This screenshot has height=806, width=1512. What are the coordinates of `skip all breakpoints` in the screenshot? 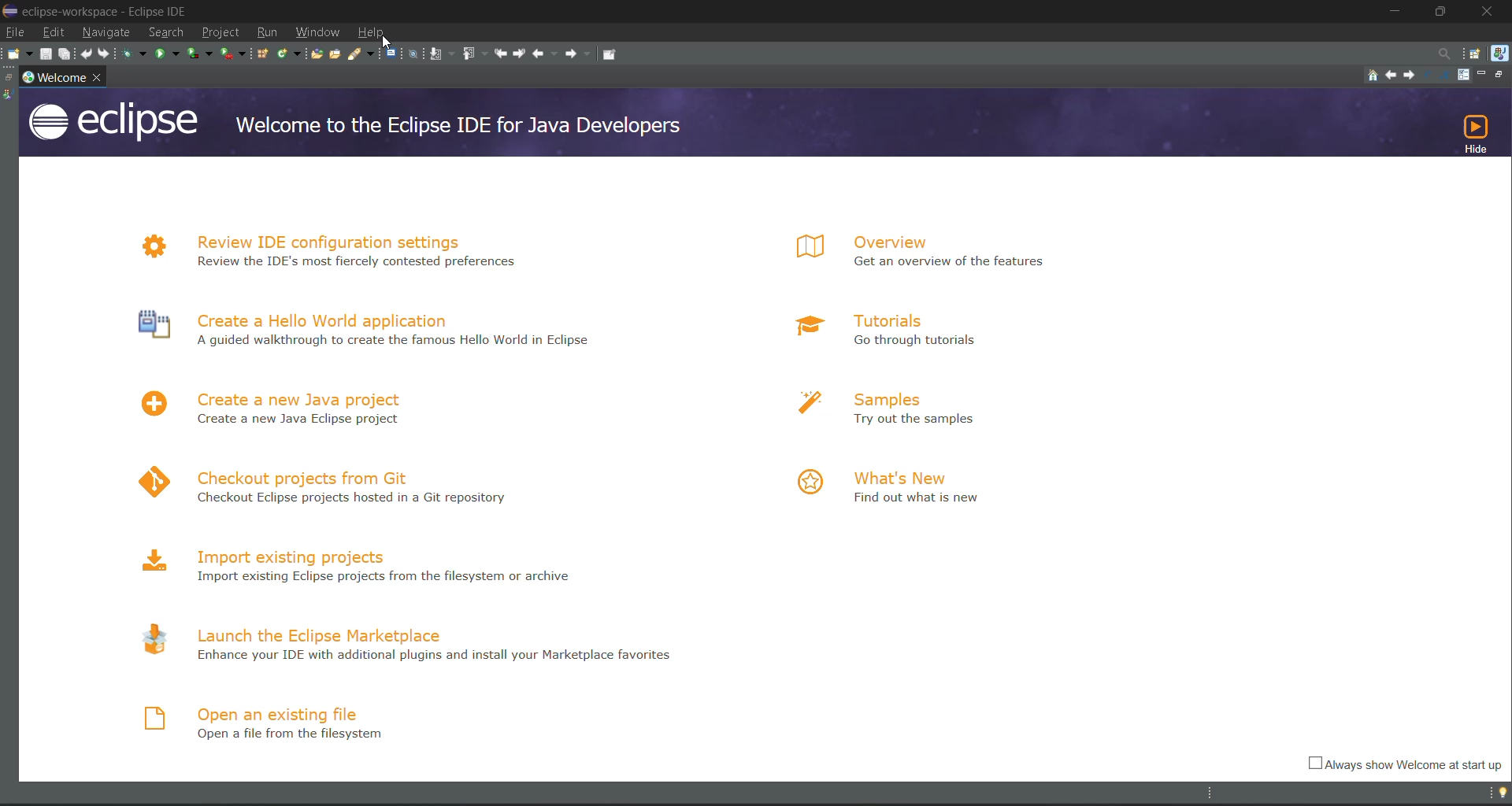 It's located at (413, 54).